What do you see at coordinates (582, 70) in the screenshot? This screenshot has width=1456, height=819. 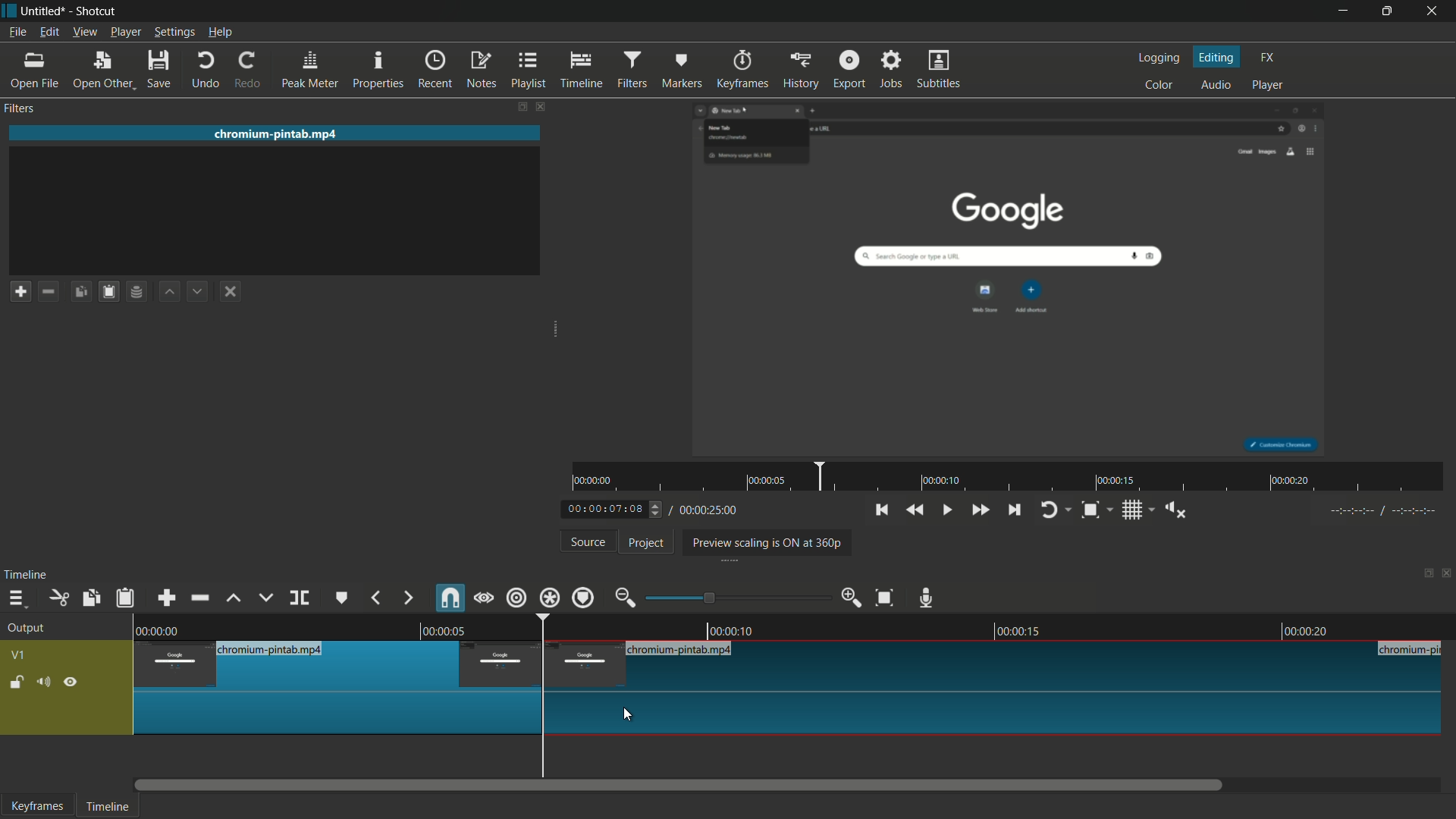 I see `timeline` at bounding box center [582, 70].